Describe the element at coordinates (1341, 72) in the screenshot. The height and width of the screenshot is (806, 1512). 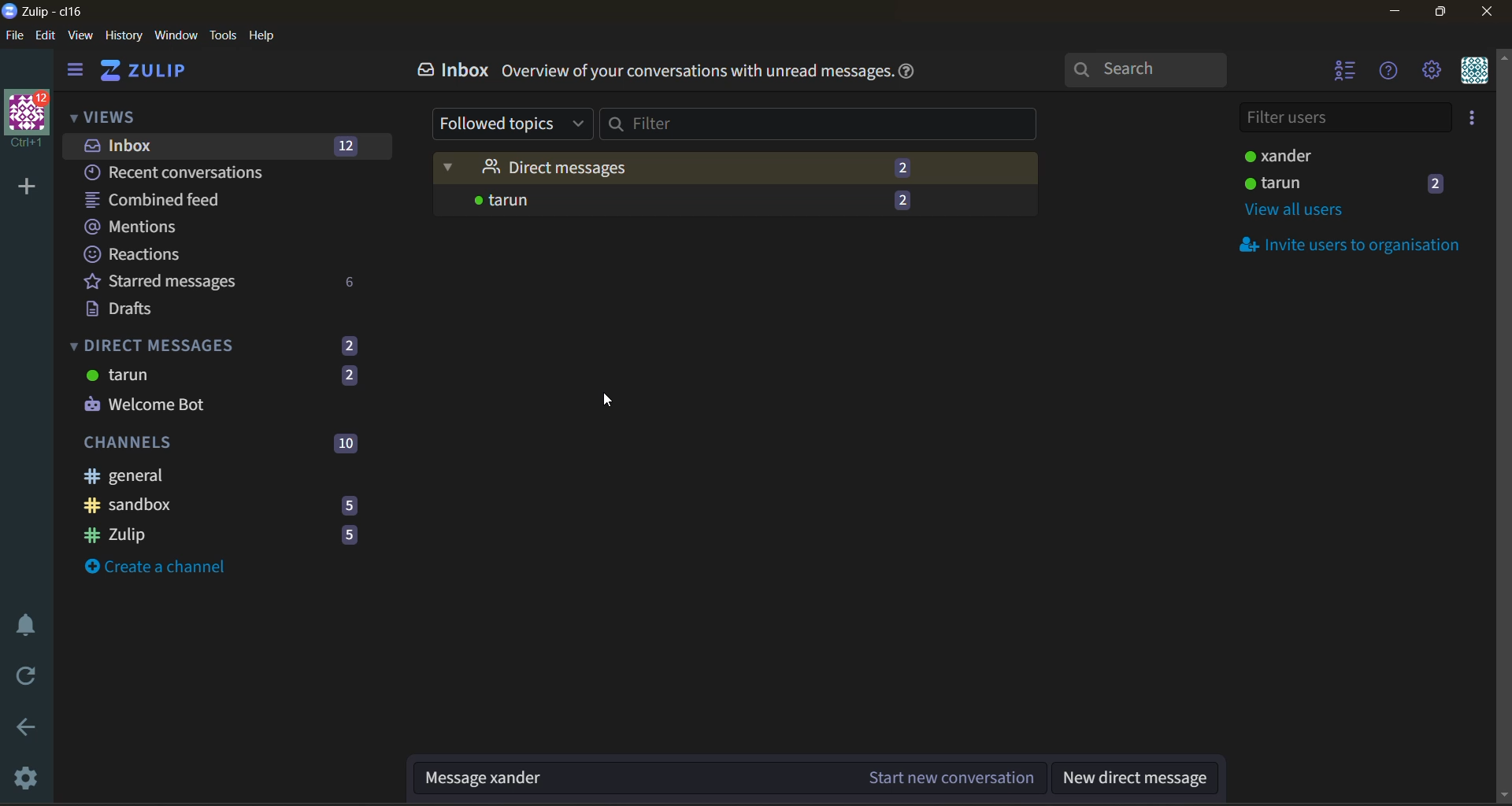
I see `hide user list` at that location.